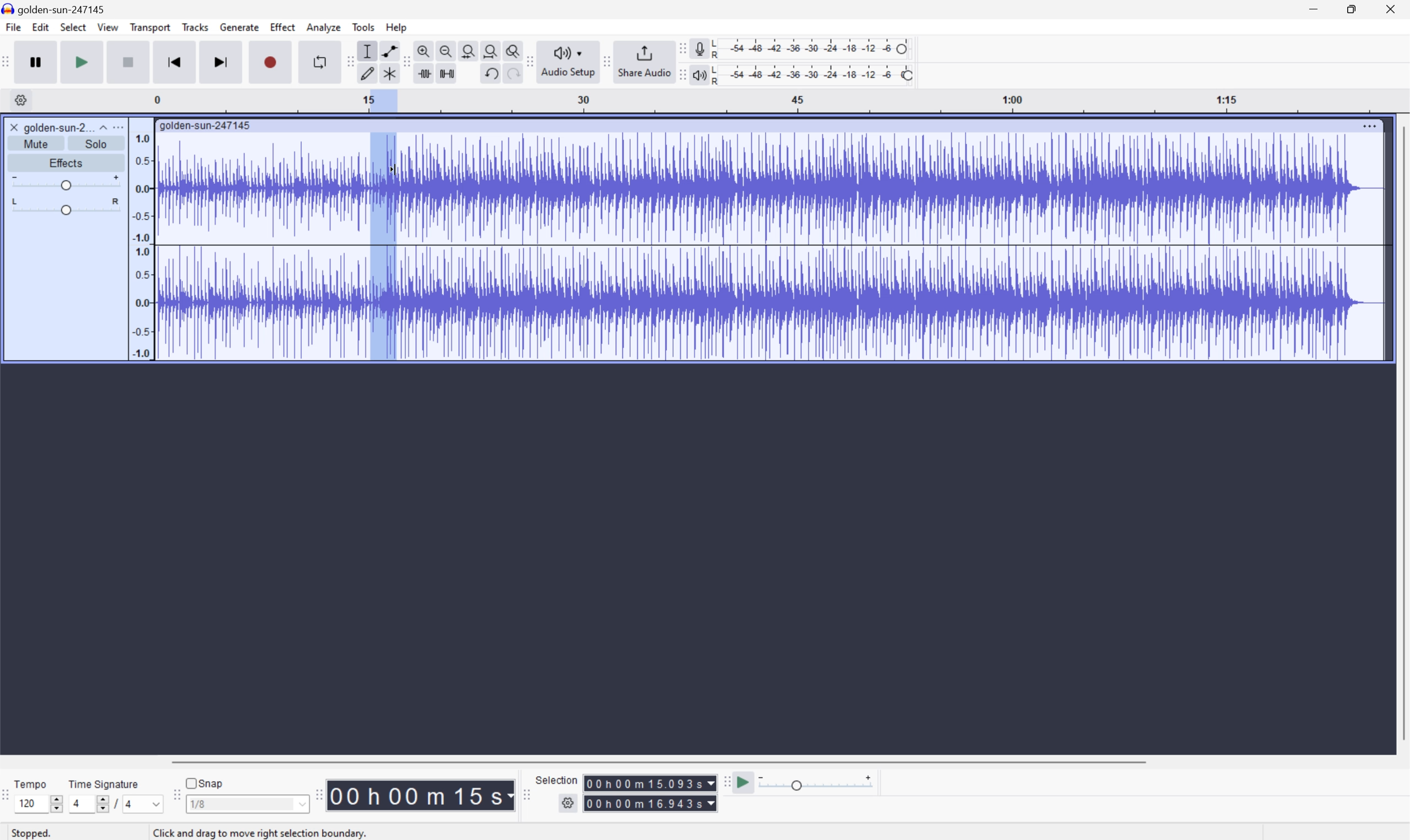  I want to click on Slider, so click(63, 182).